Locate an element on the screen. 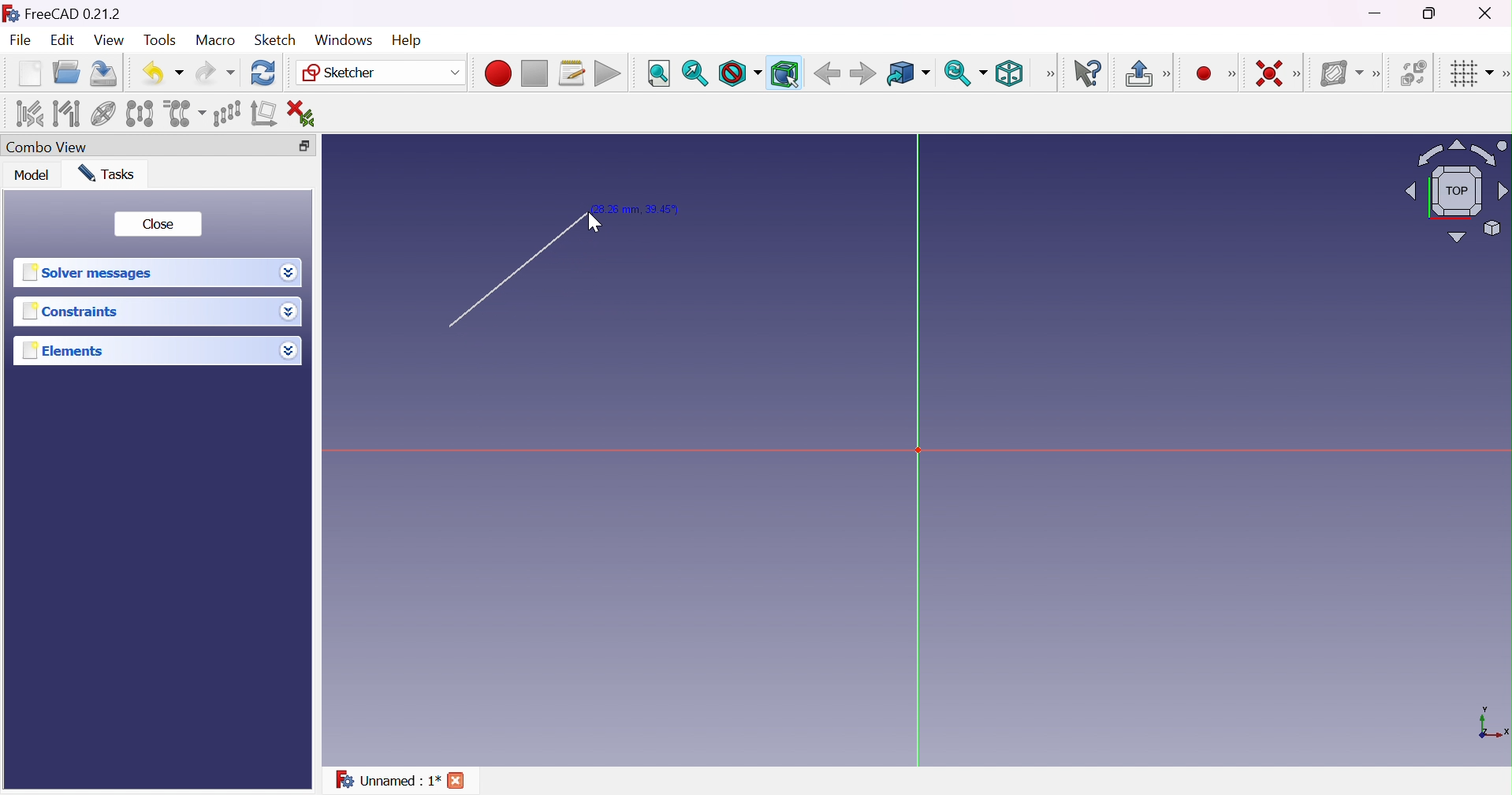  Elements is located at coordinates (72, 351).